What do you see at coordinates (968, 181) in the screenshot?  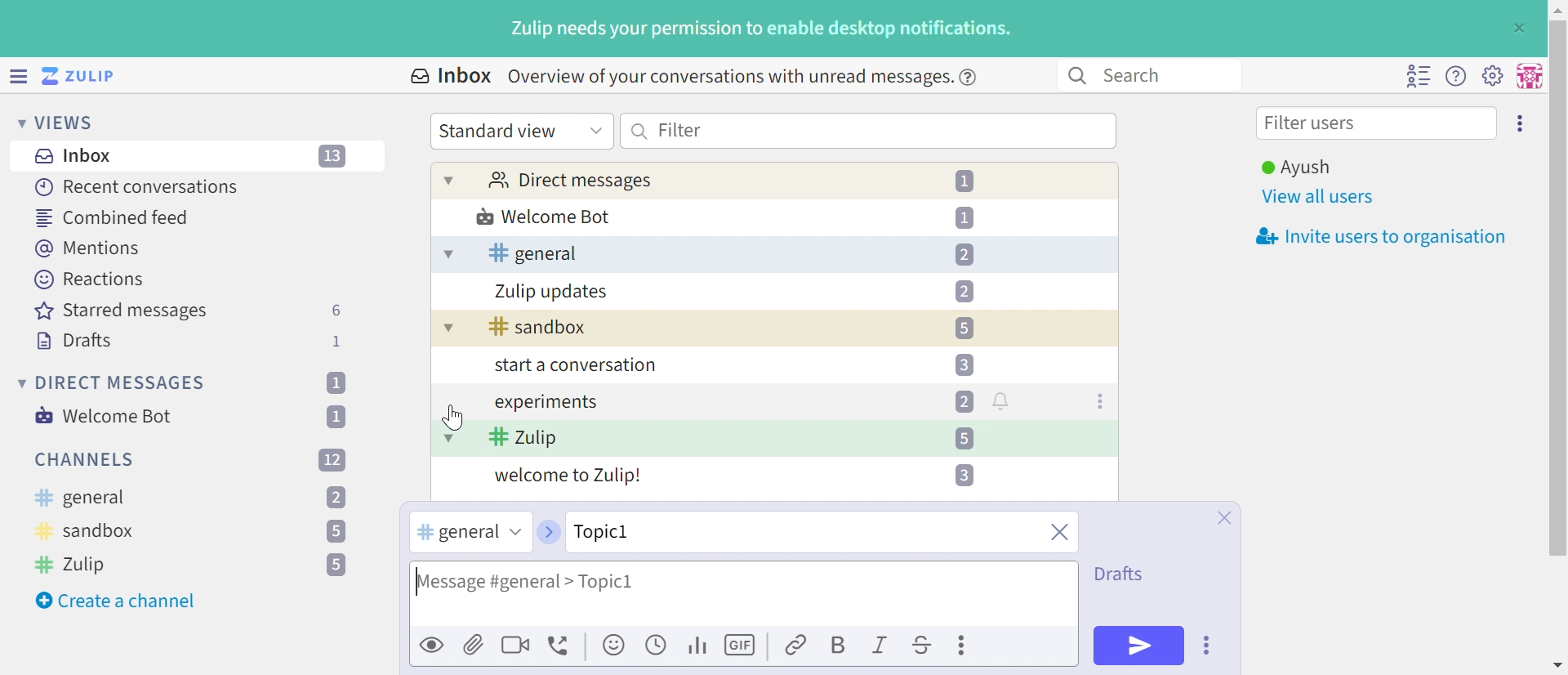 I see `1` at bounding box center [968, 181].